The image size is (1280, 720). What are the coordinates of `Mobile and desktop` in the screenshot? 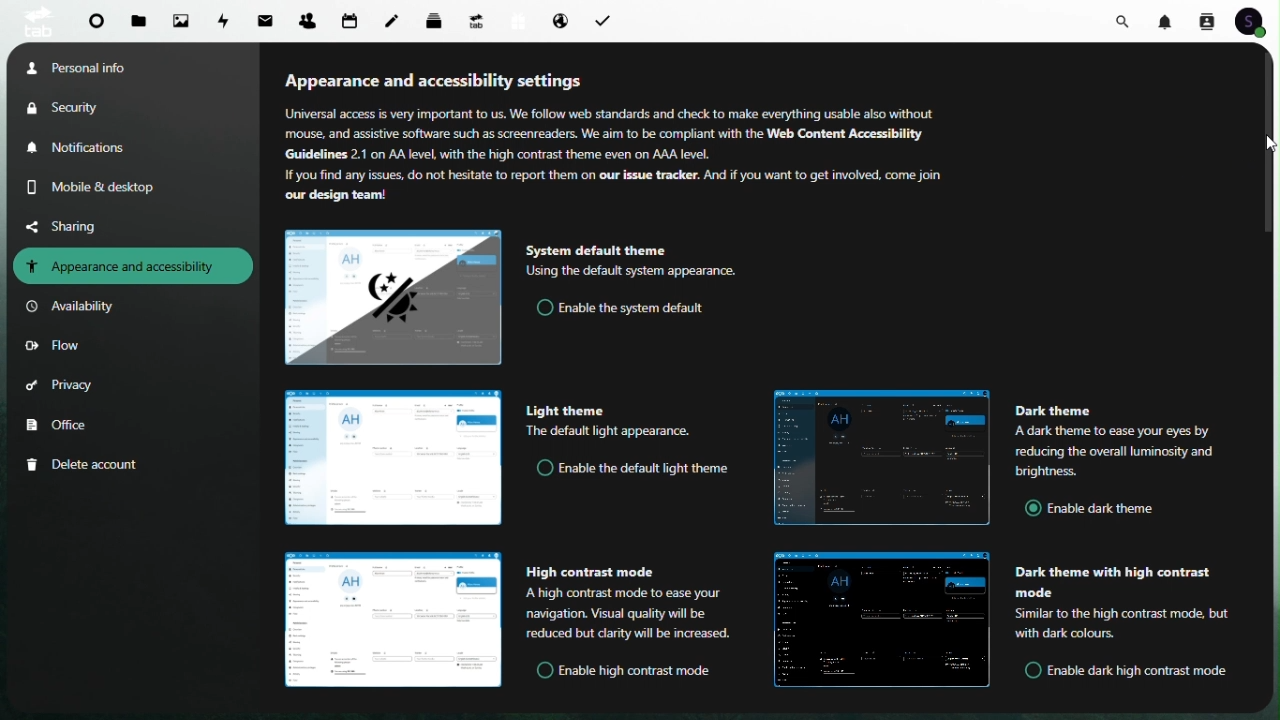 It's located at (107, 187).